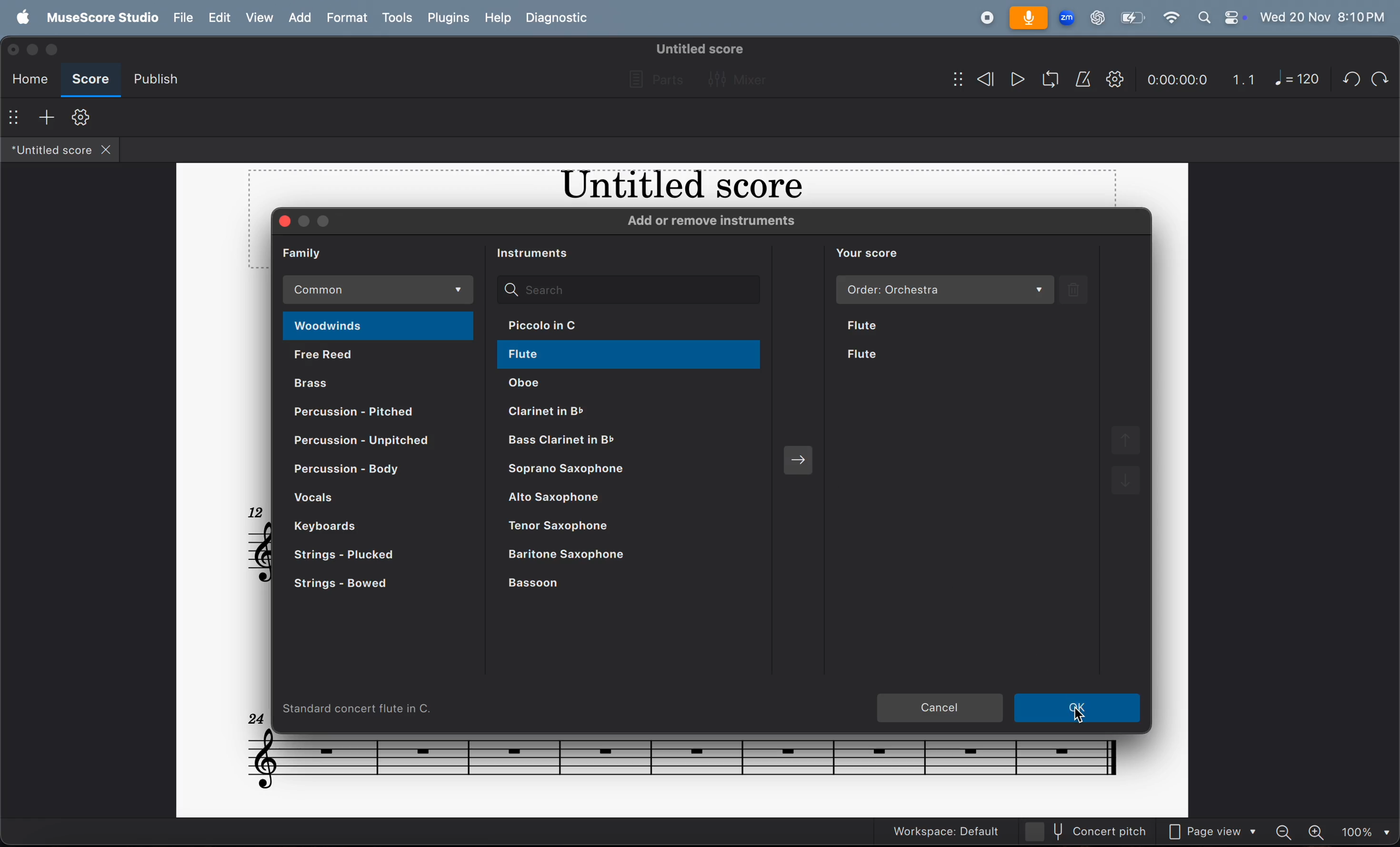  I want to click on baritone saxophone, so click(622, 556).